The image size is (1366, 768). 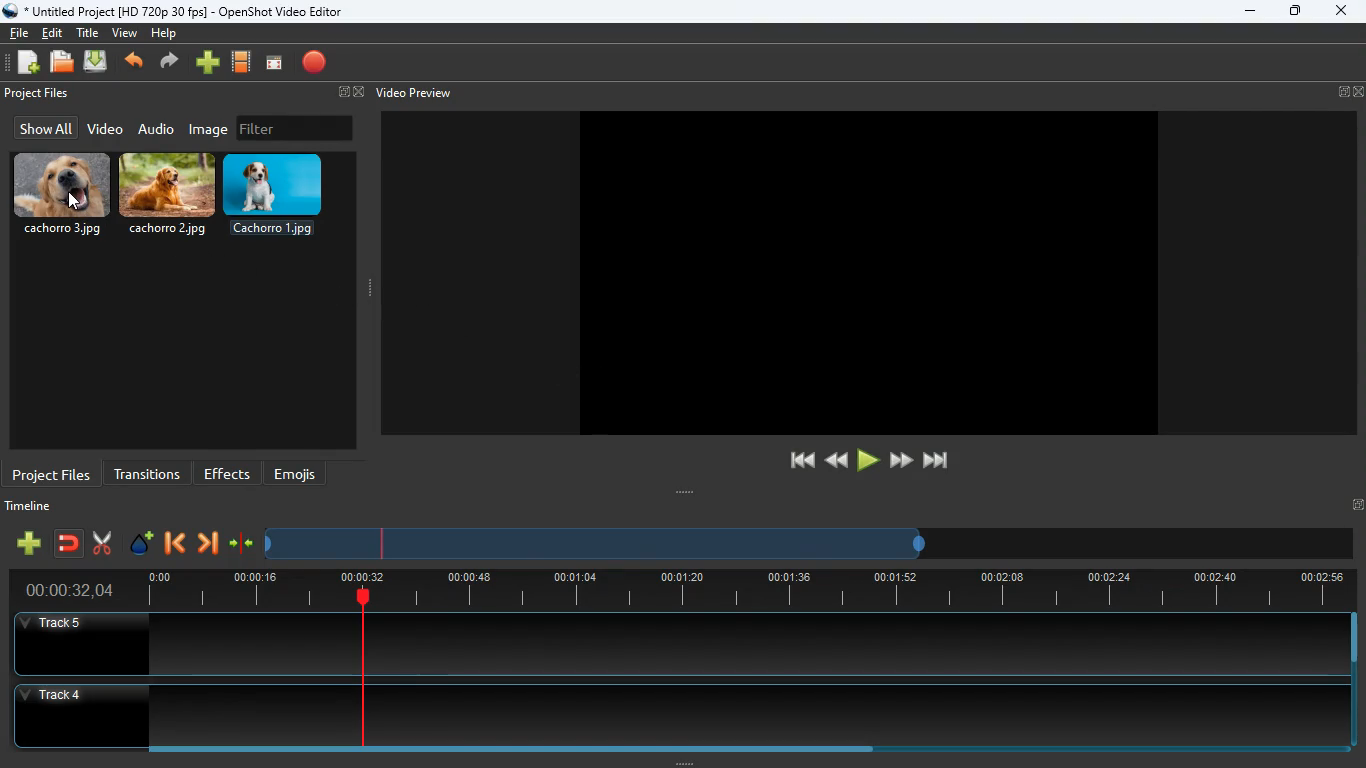 What do you see at coordinates (142, 545) in the screenshot?
I see `effect` at bounding box center [142, 545].